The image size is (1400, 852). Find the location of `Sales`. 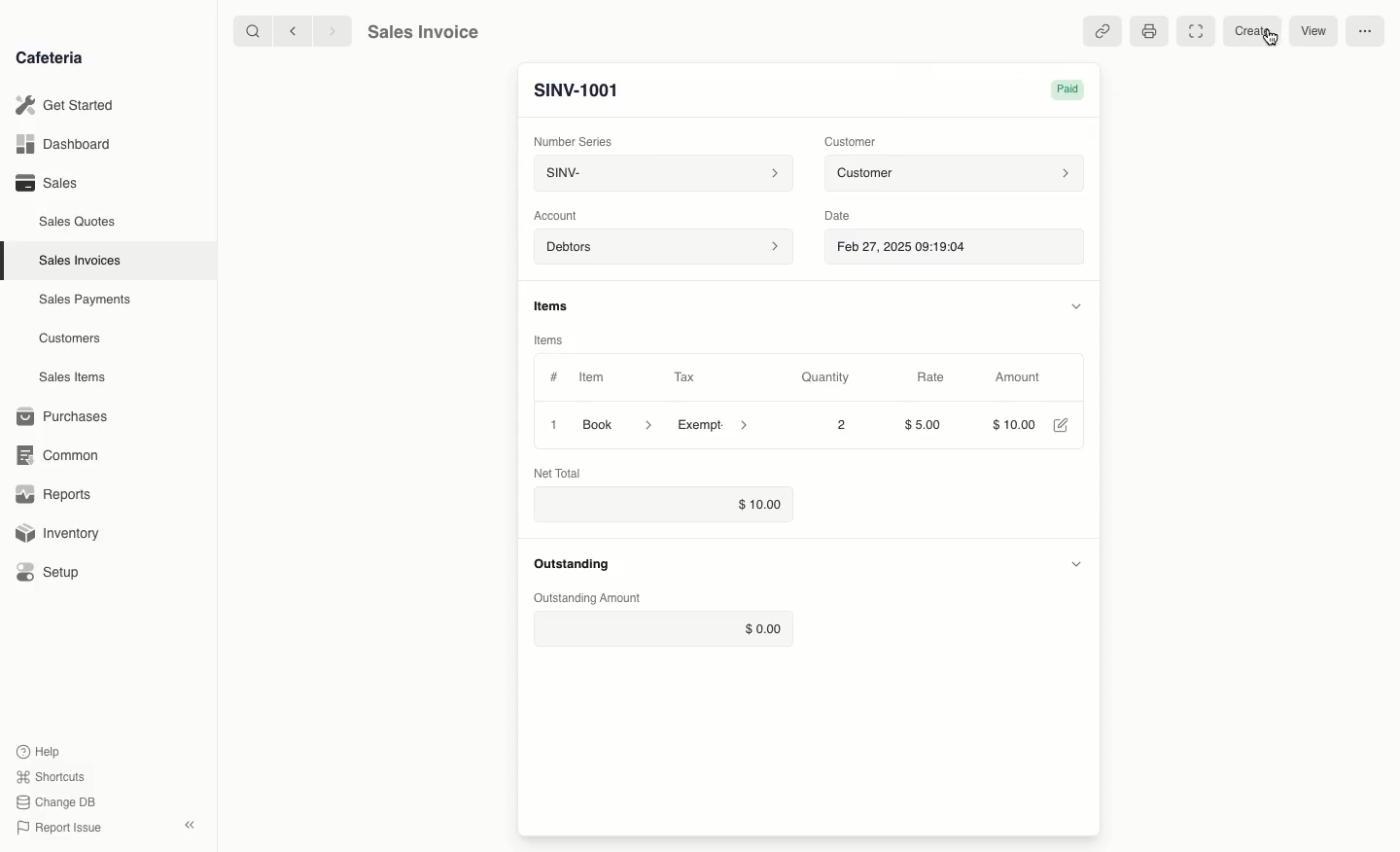

Sales is located at coordinates (50, 183).